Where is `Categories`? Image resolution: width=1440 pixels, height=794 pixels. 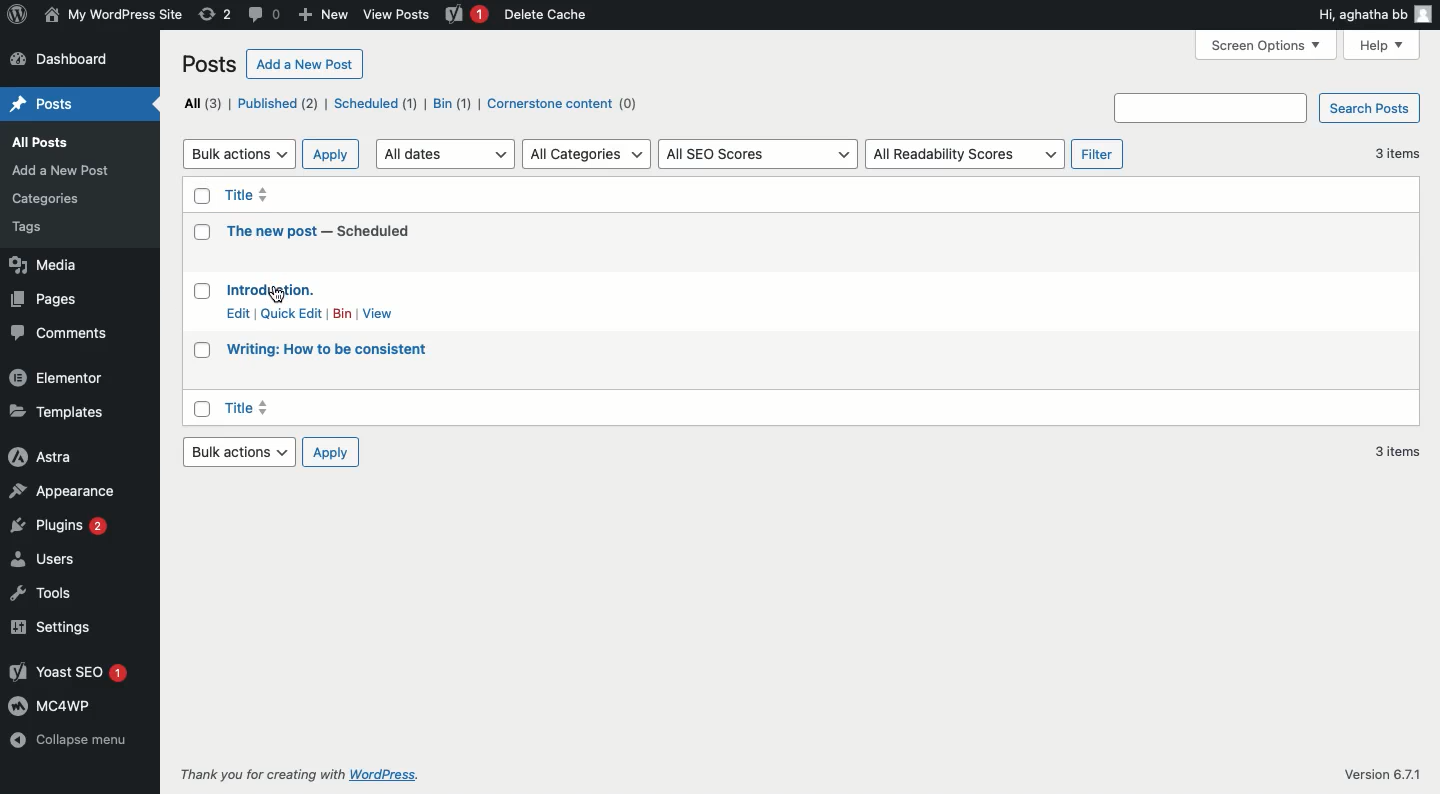
Categories is located at coordinates (48, 198).